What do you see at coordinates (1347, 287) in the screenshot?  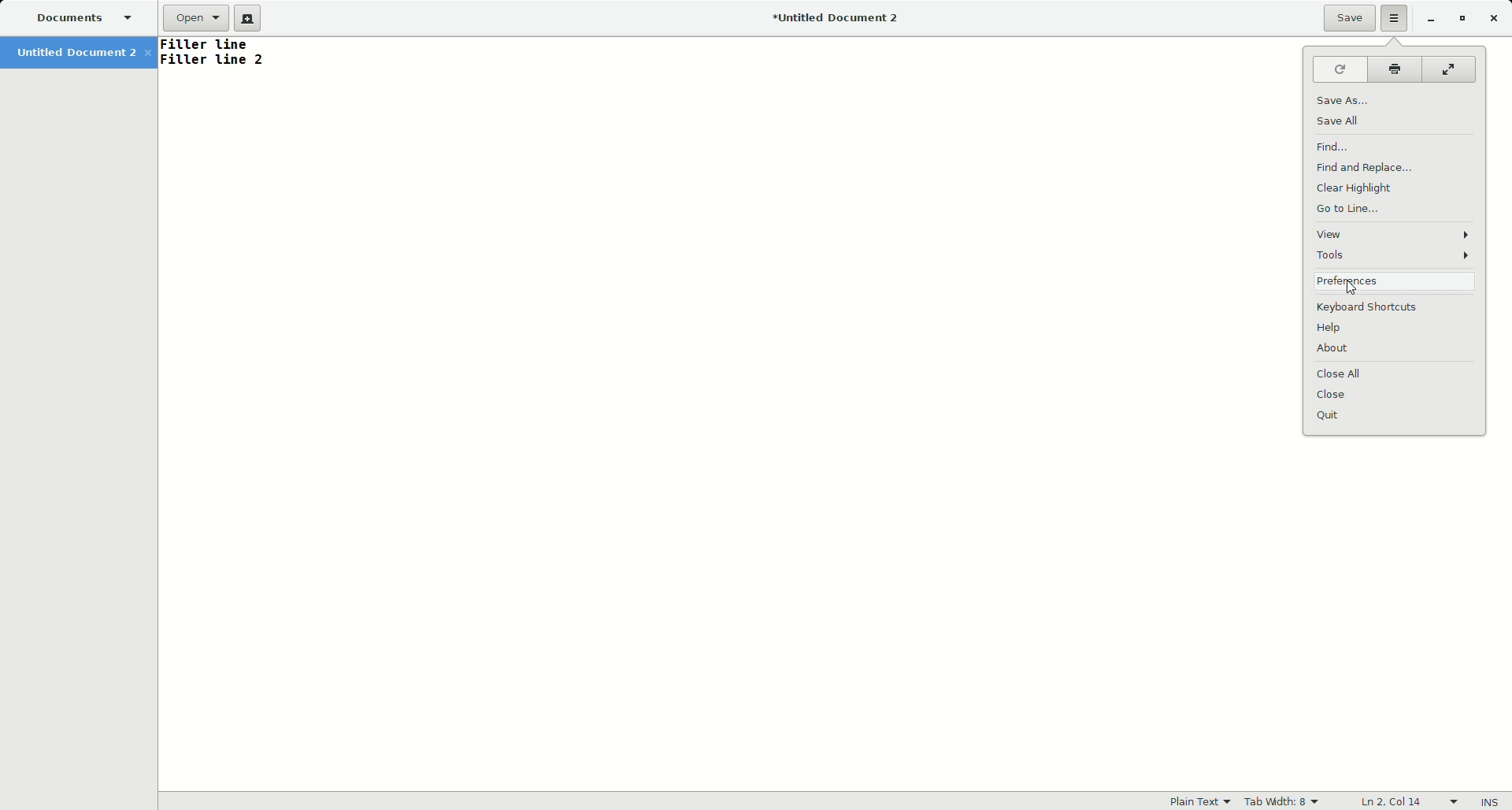 I see `Cursor` at bounding box center [1347, 287].